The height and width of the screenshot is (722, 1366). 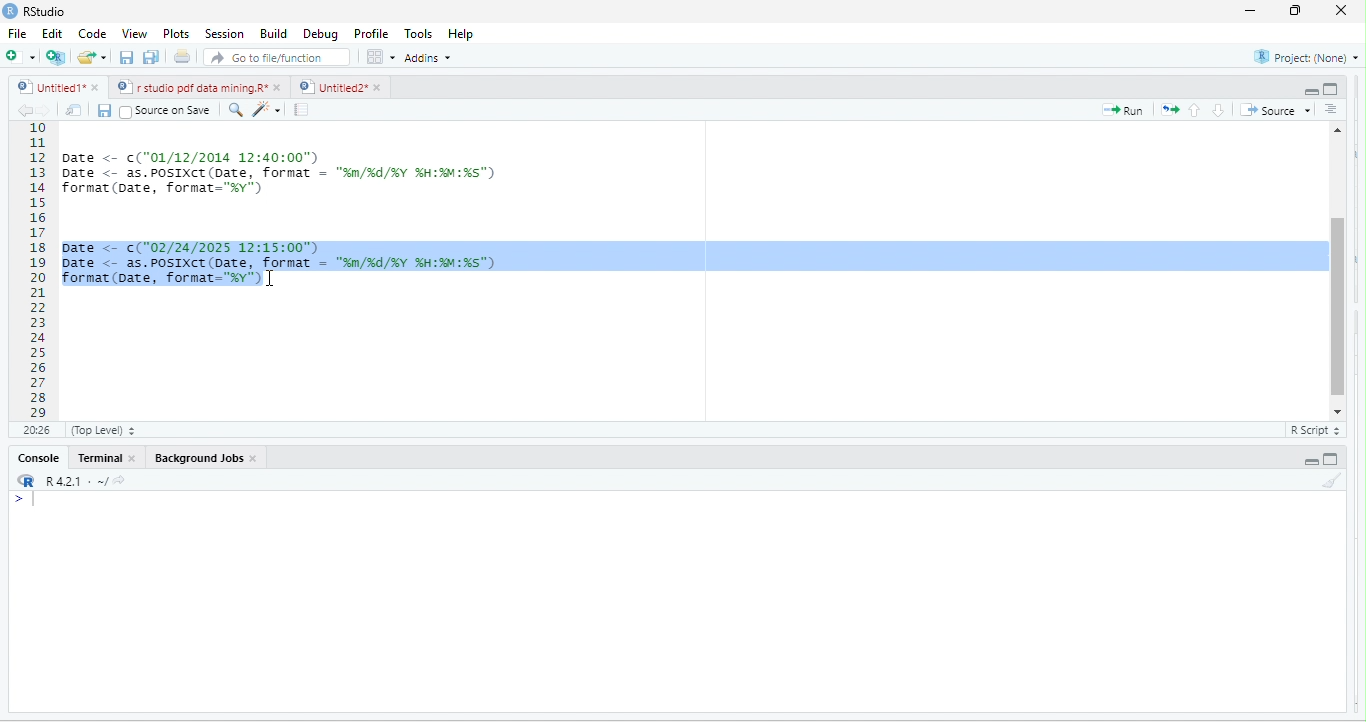 I want to click on save current document, so click(x=108, y=112).